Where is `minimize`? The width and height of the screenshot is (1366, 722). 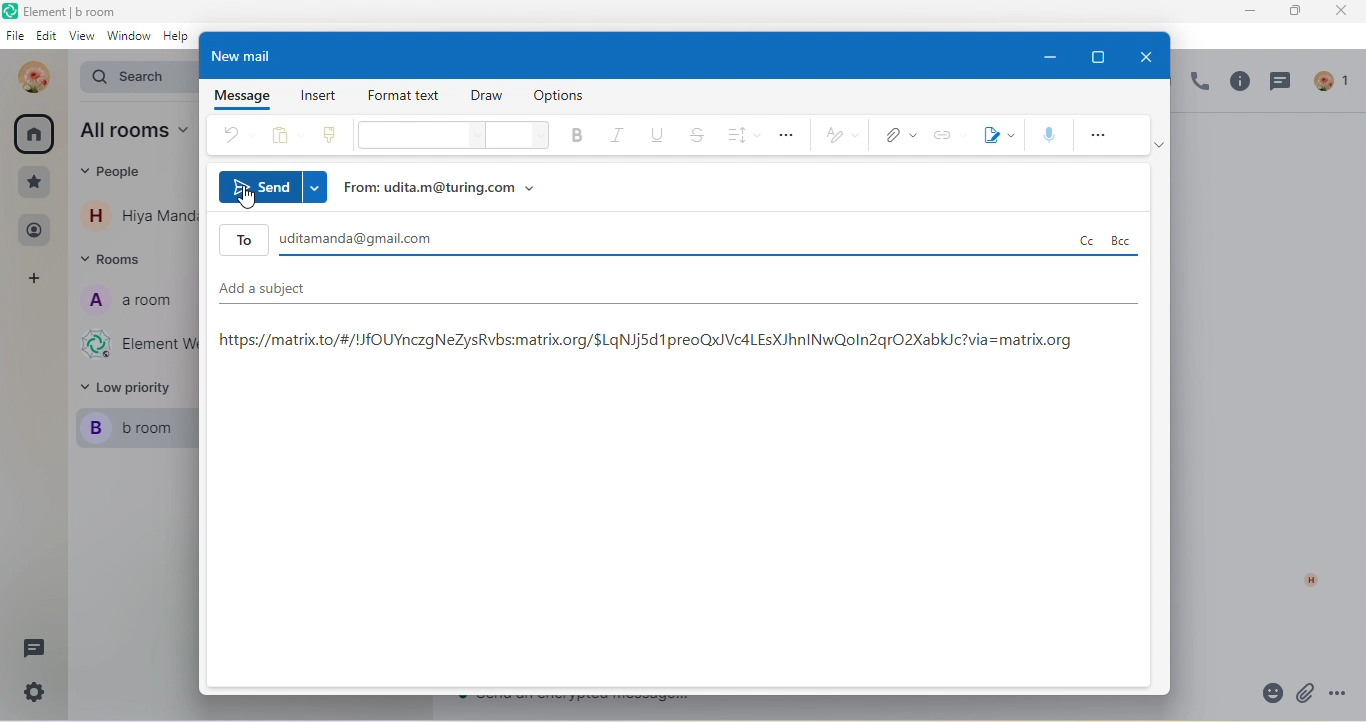
minimize is located at coordinates (1050, 56).